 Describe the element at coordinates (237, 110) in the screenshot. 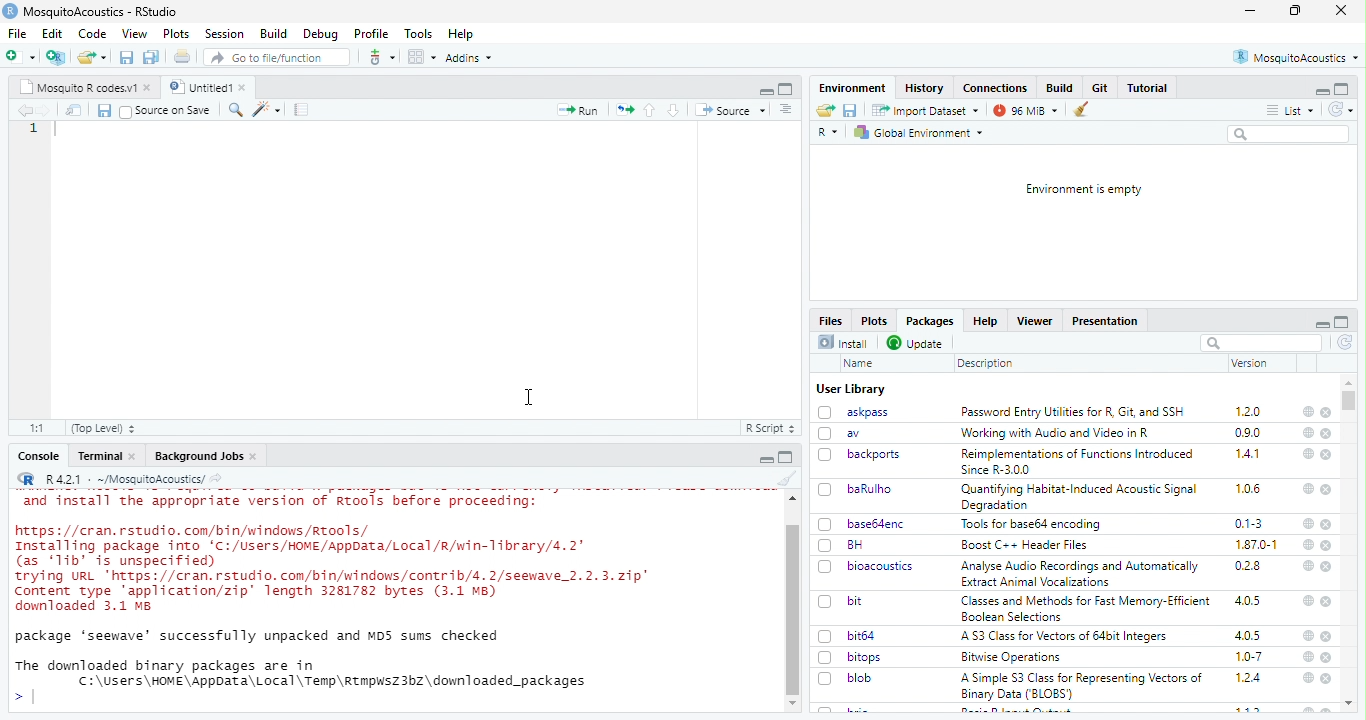

I see `find` at that location.